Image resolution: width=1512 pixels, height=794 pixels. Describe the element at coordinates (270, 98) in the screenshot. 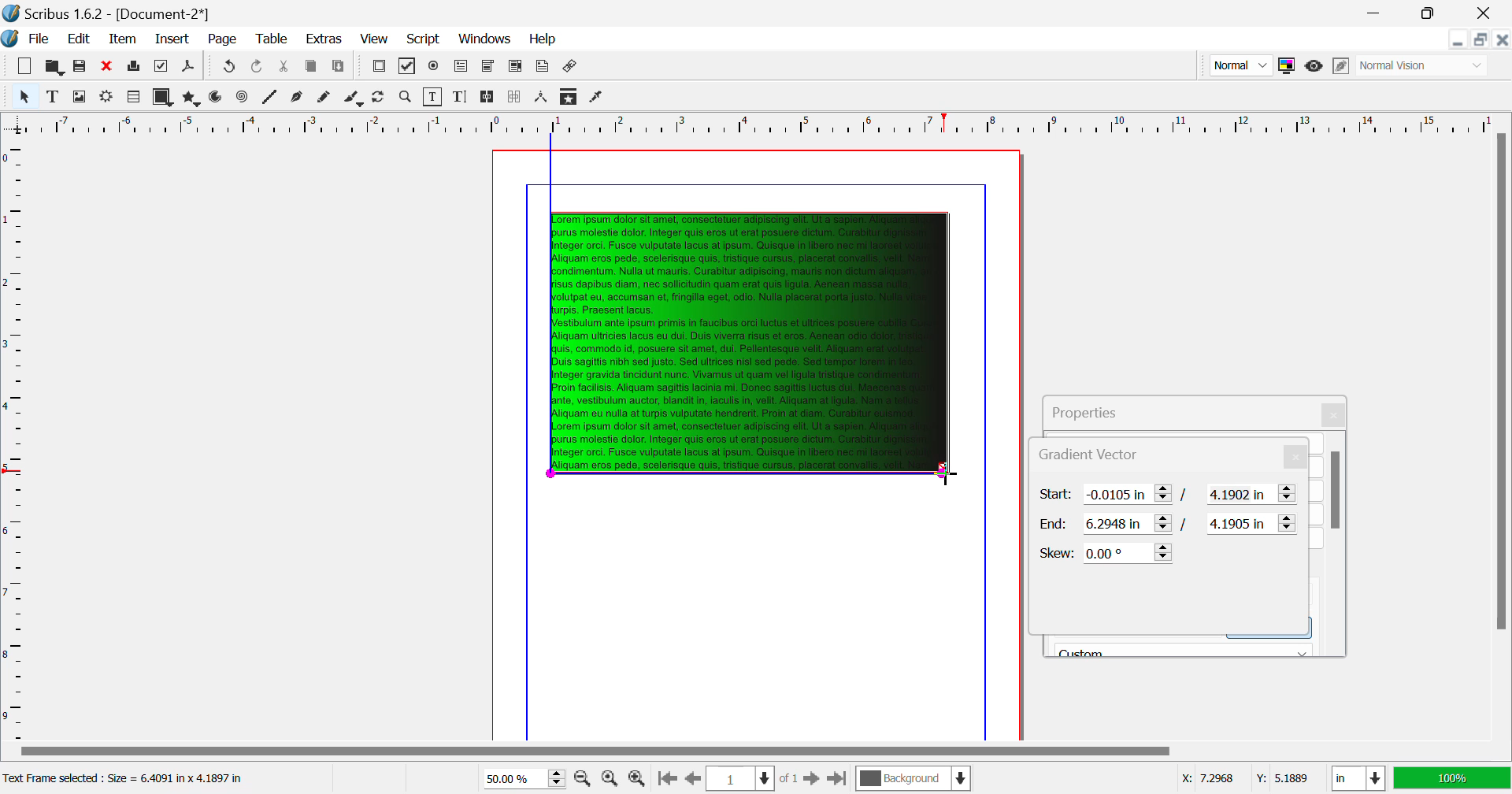

I see `Line` at that location.